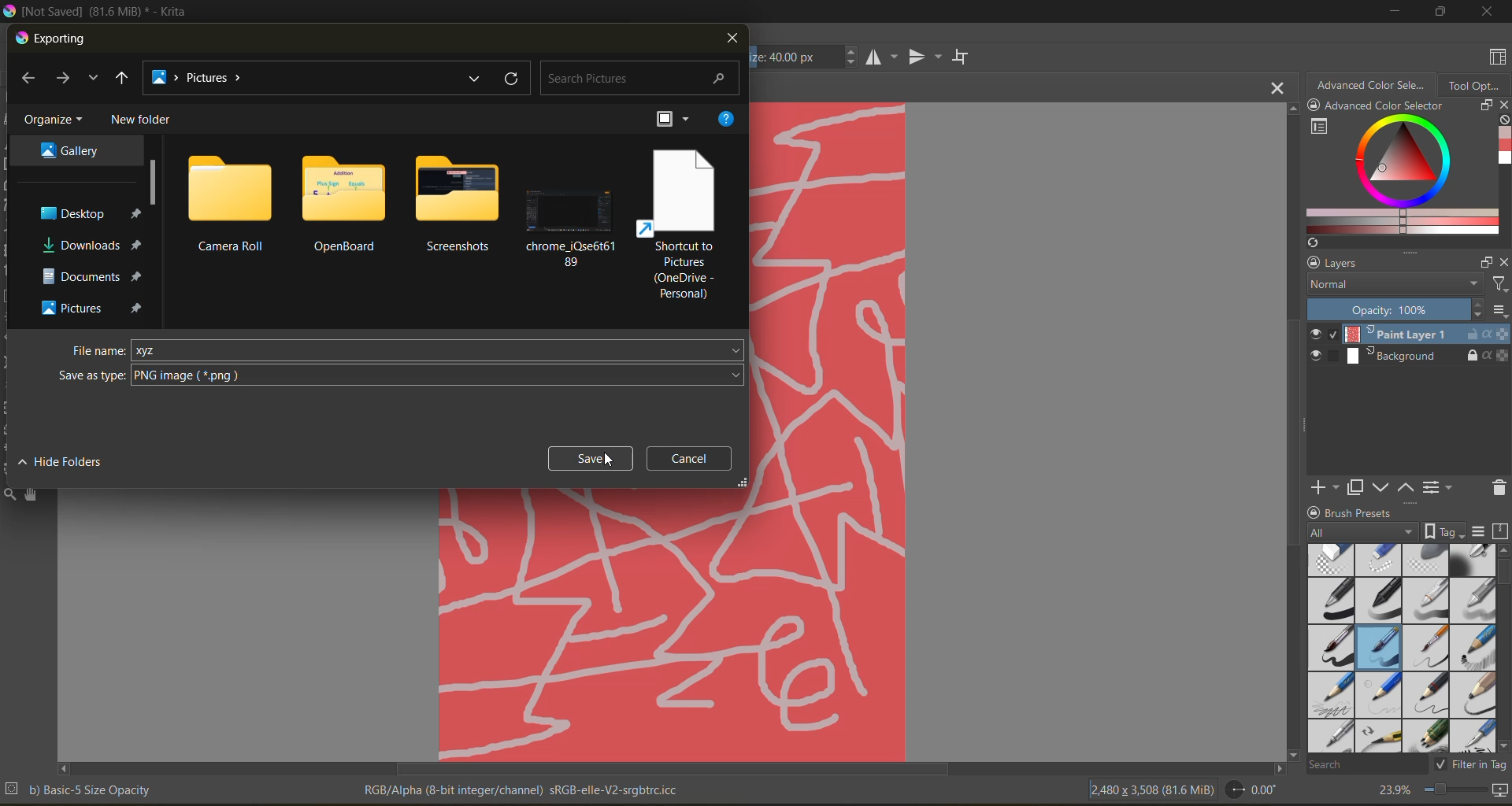 This screenshot has width=1512, height=806. I want to click on hide folders, so click(65, 460).